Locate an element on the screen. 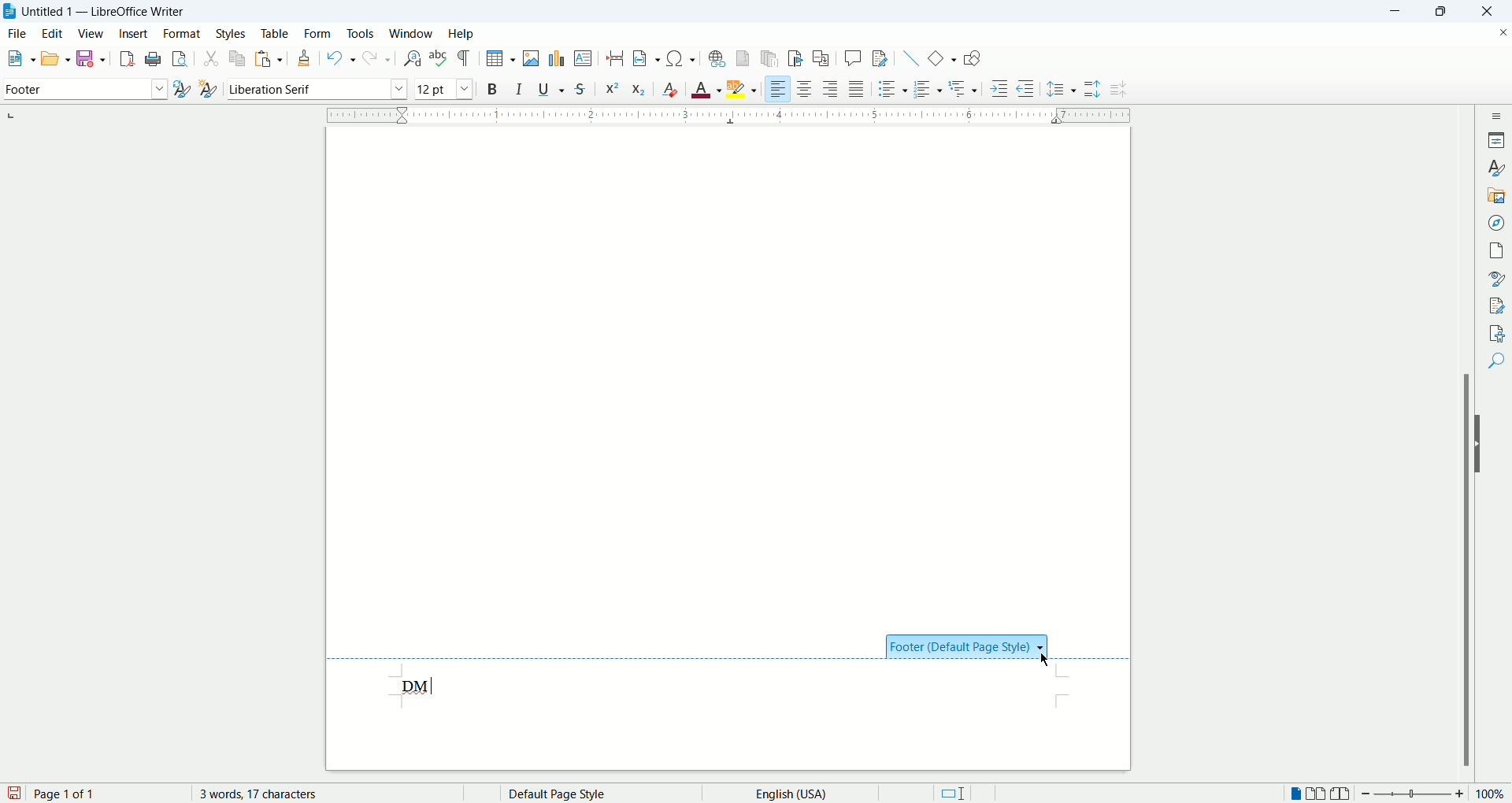  page style is located at coordinates (587, 794).